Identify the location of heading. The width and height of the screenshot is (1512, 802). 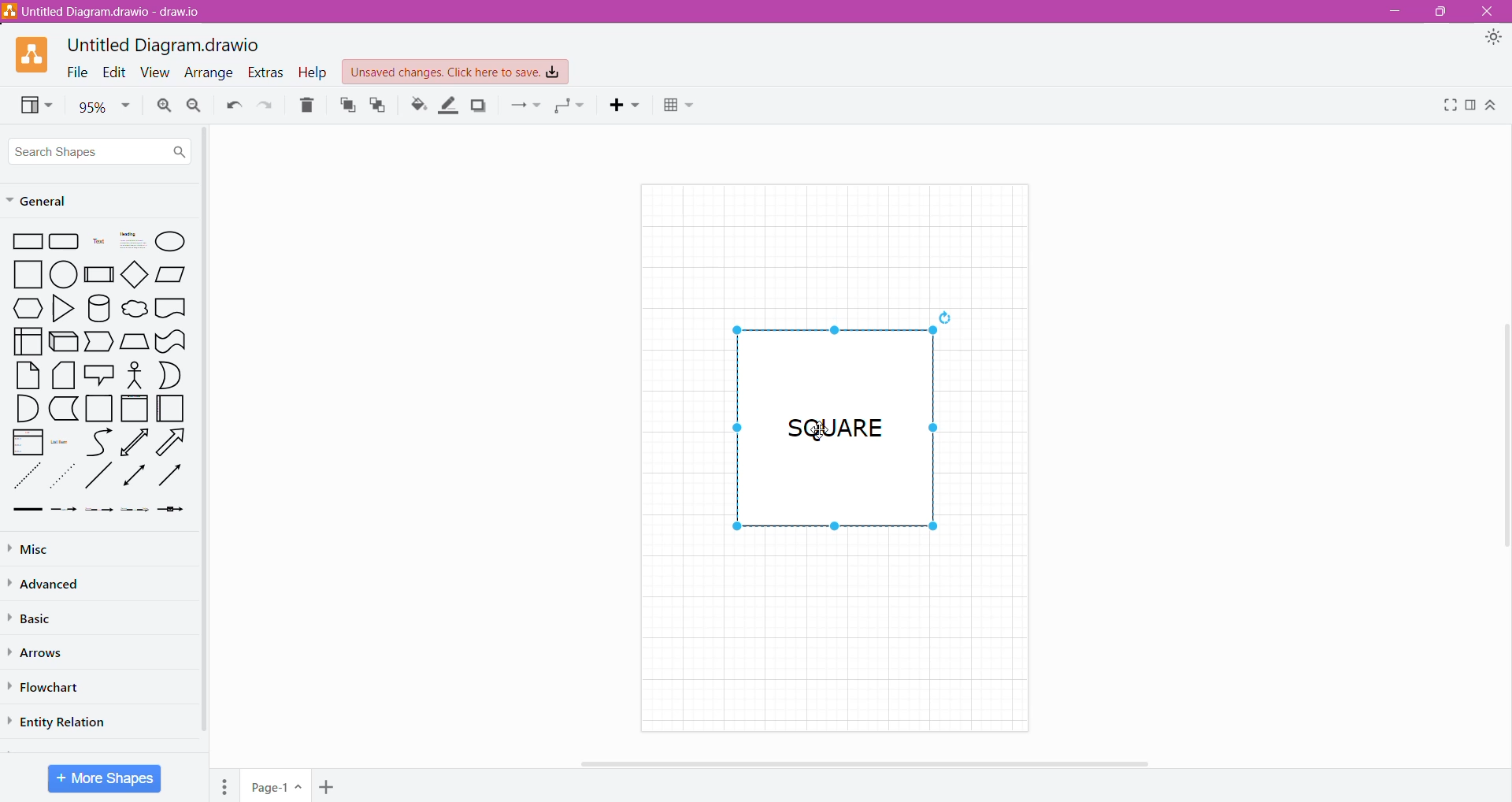
(133, 241).